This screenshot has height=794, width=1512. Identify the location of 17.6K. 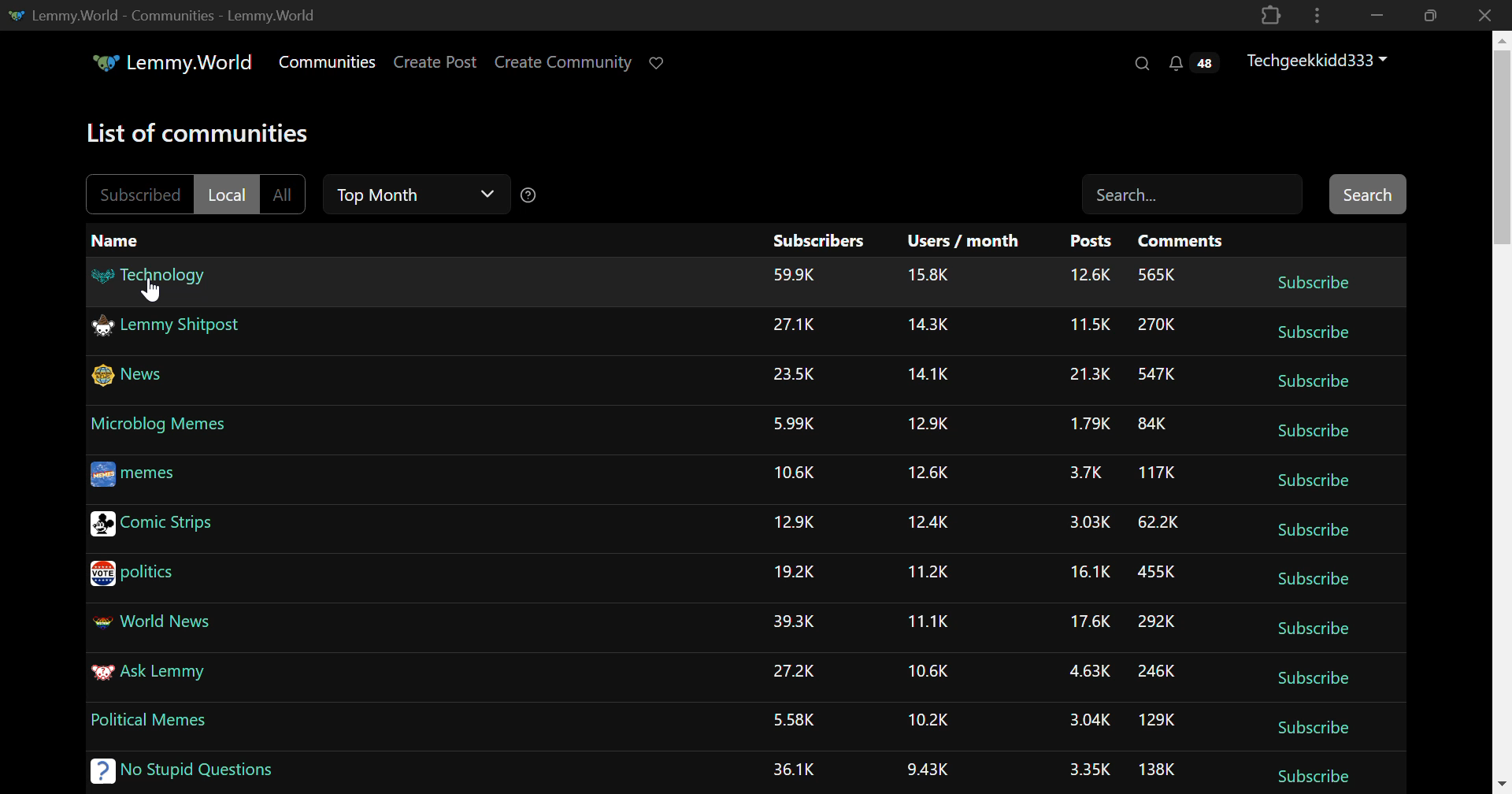
(1087, 625).